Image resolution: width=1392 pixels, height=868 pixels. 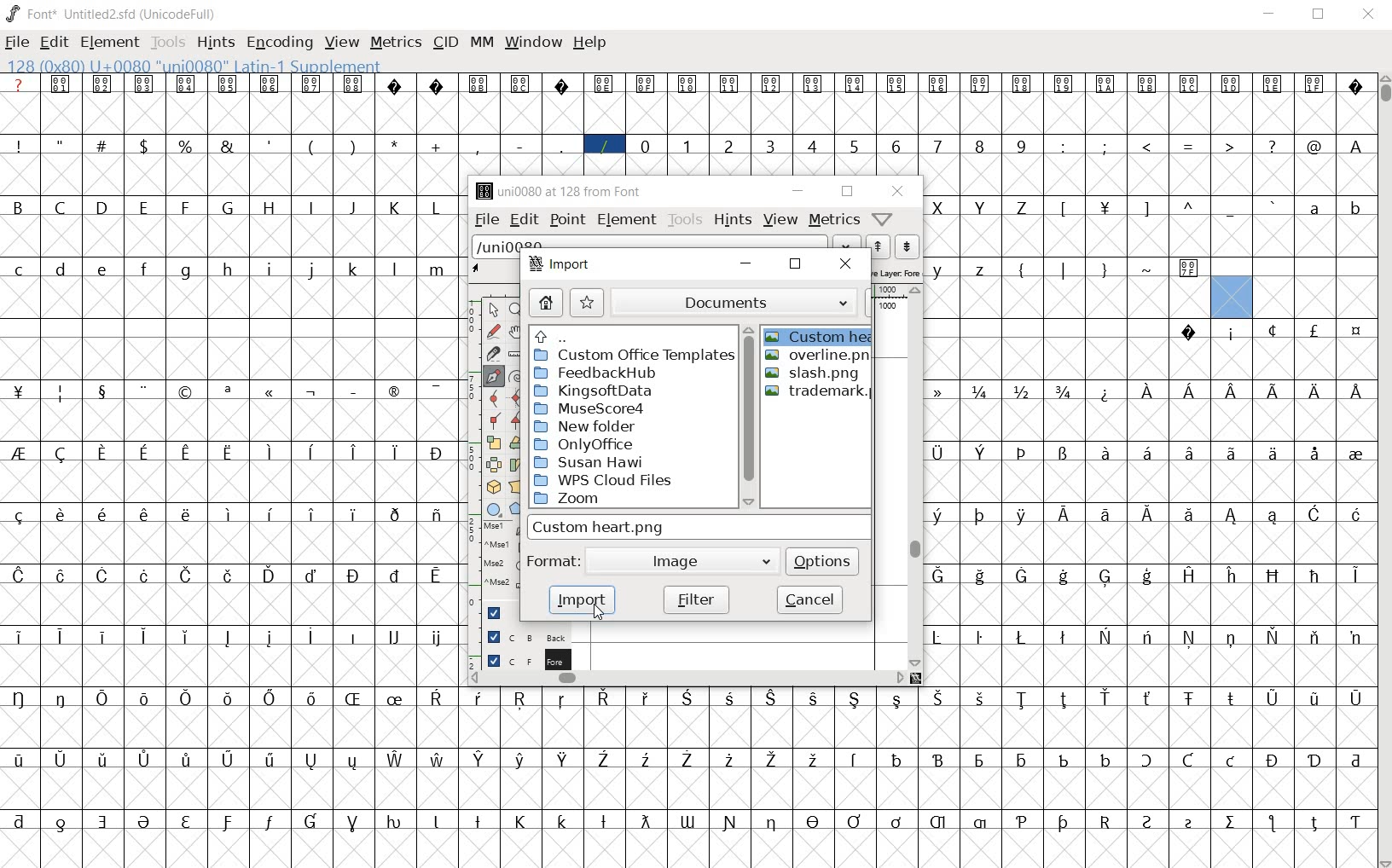 I want to click on cursor, so click(x=600, y=612).